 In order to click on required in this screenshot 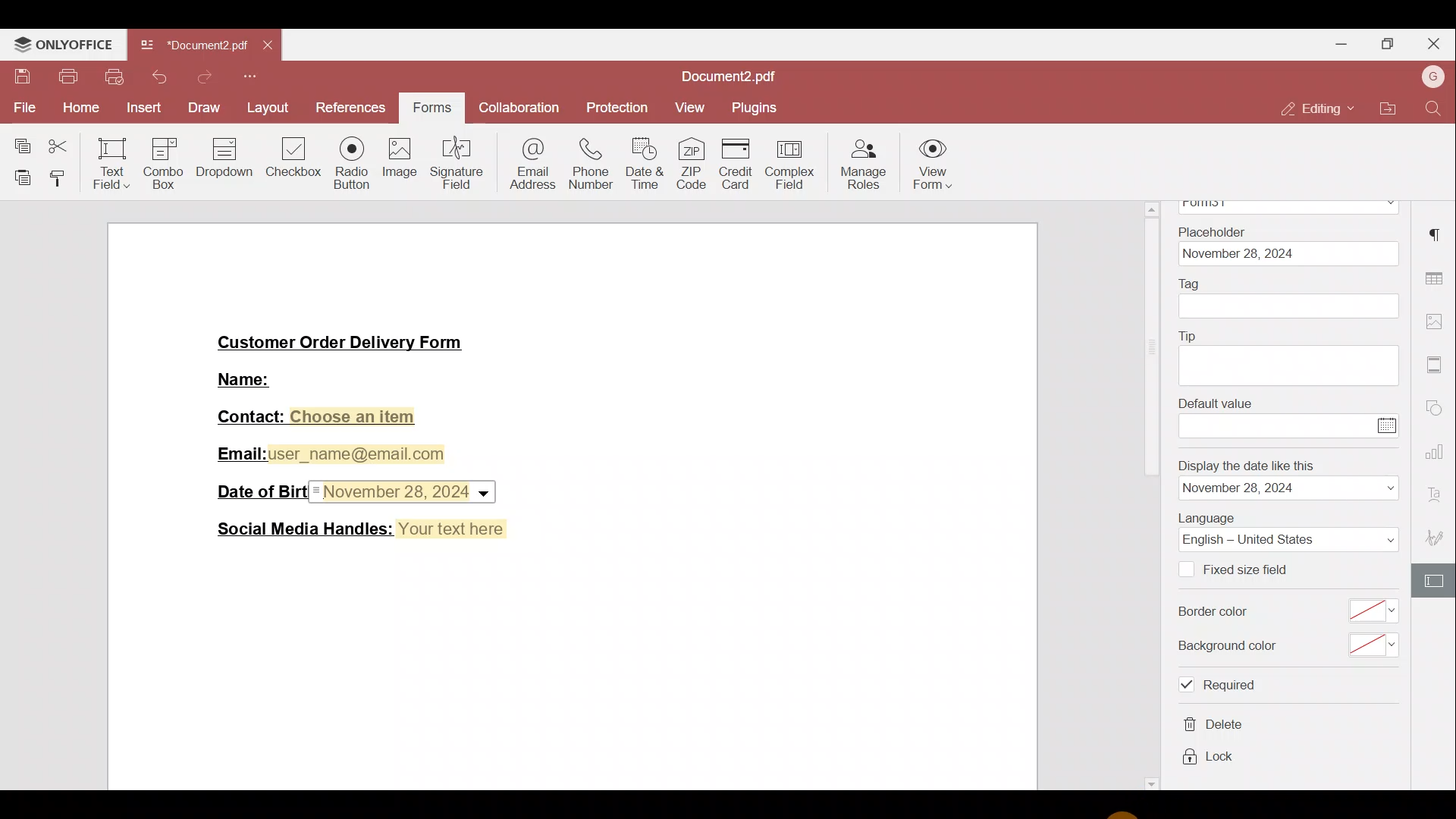, I will do `click(1228, 685)`.